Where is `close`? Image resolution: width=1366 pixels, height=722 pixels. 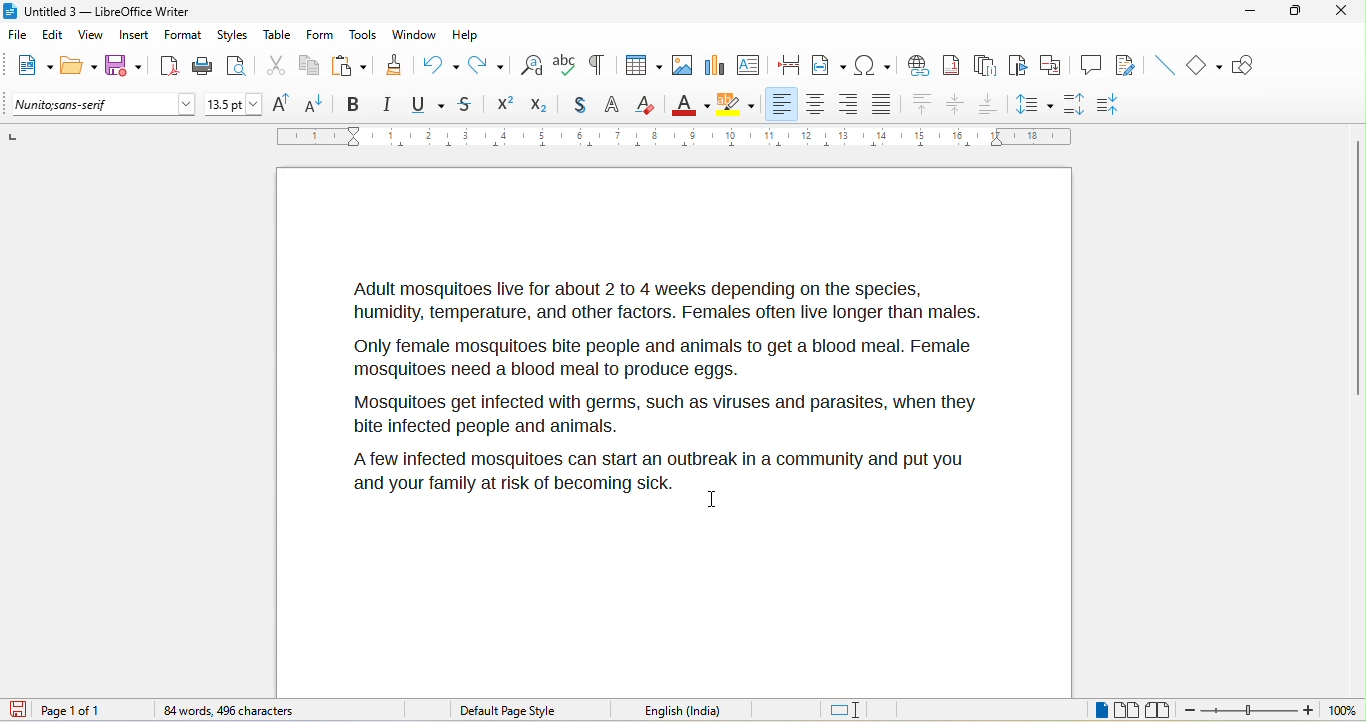 close is located at coordinates (1338, 10).